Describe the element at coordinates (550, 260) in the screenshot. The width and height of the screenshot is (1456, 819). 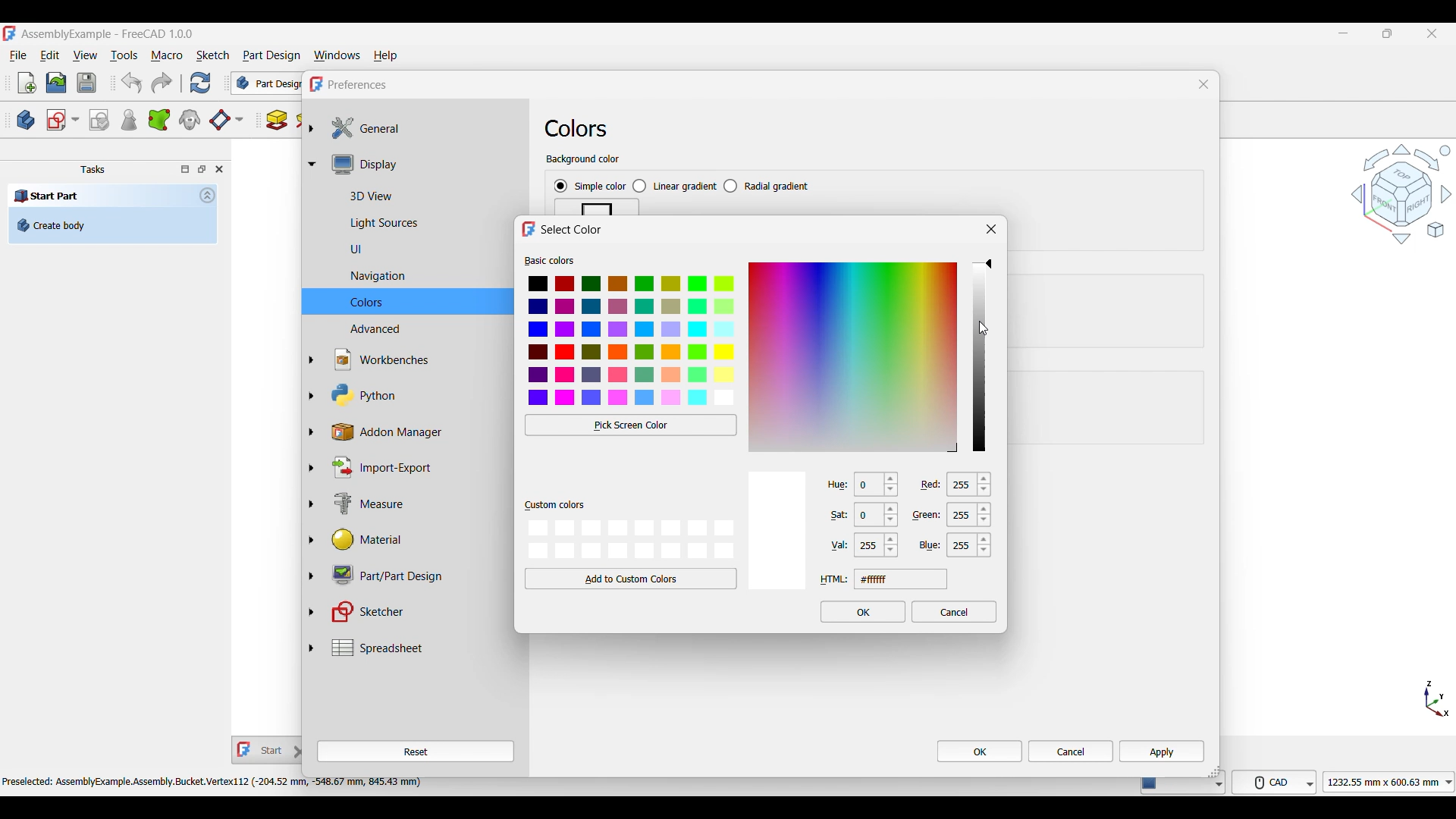
I see `basic colors` at that location.